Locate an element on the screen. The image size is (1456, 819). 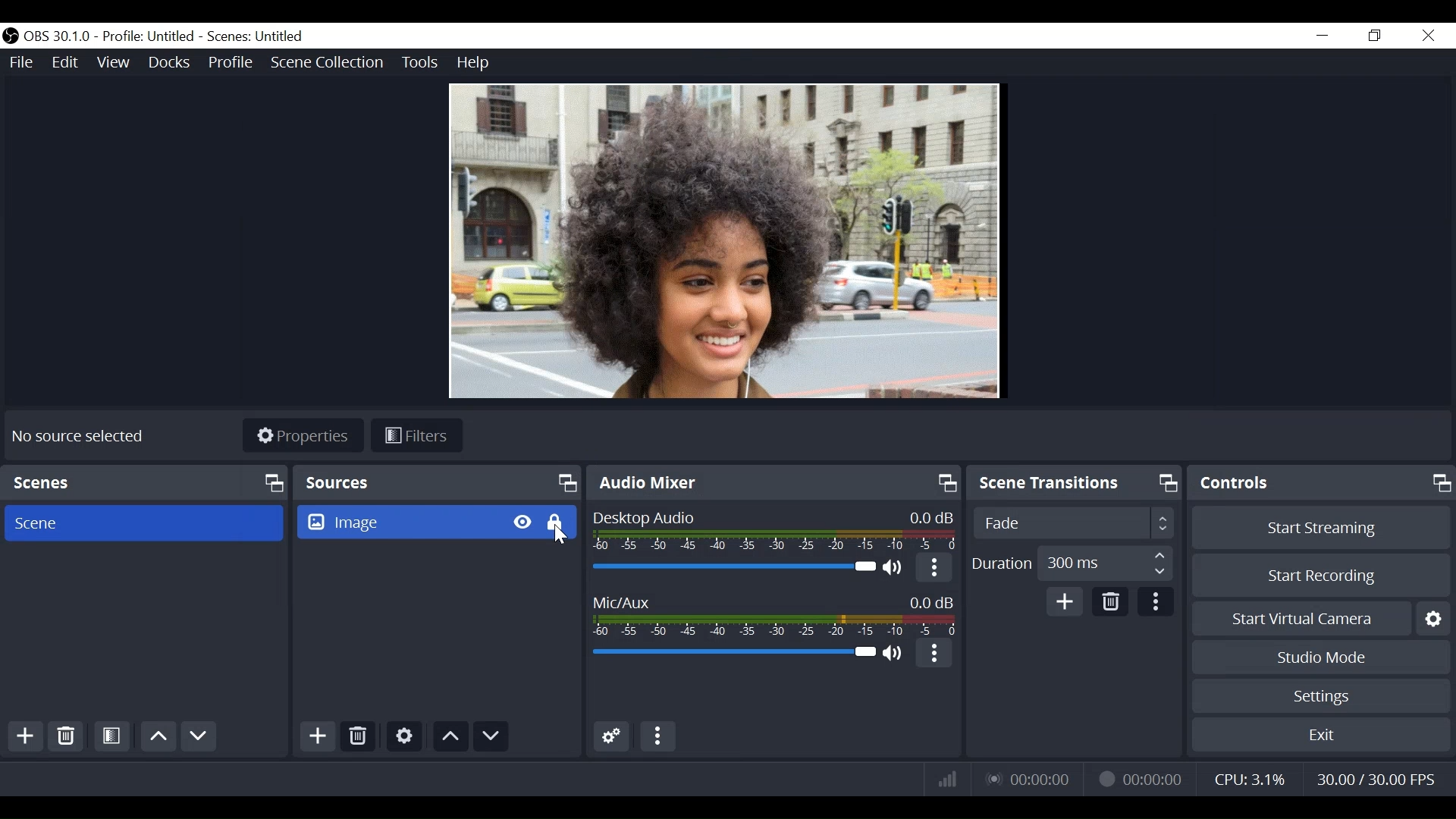
more options is located at coordinates (1155, 603).